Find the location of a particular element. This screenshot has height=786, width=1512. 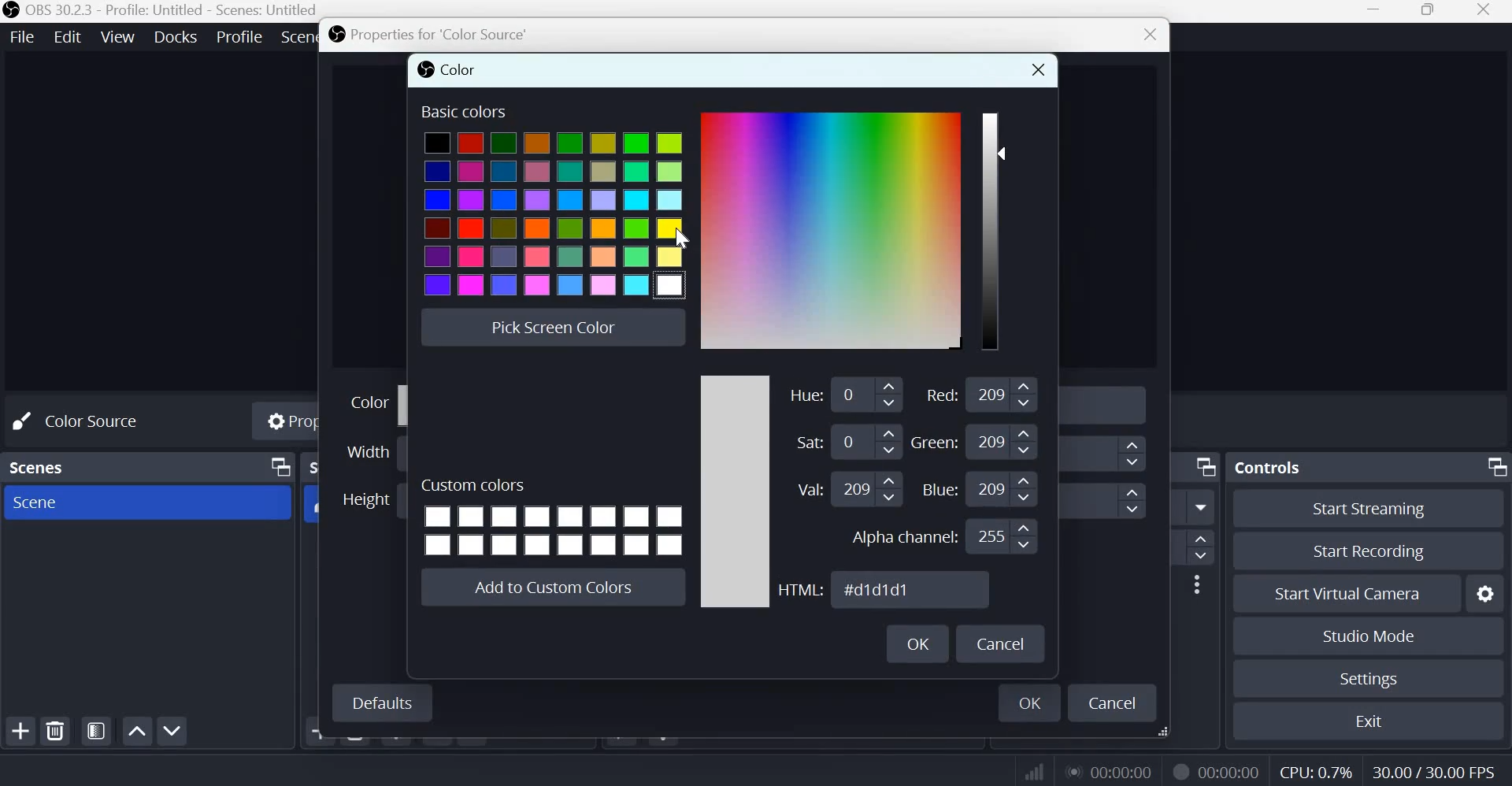

color scale is located at coordinates (736, 493).